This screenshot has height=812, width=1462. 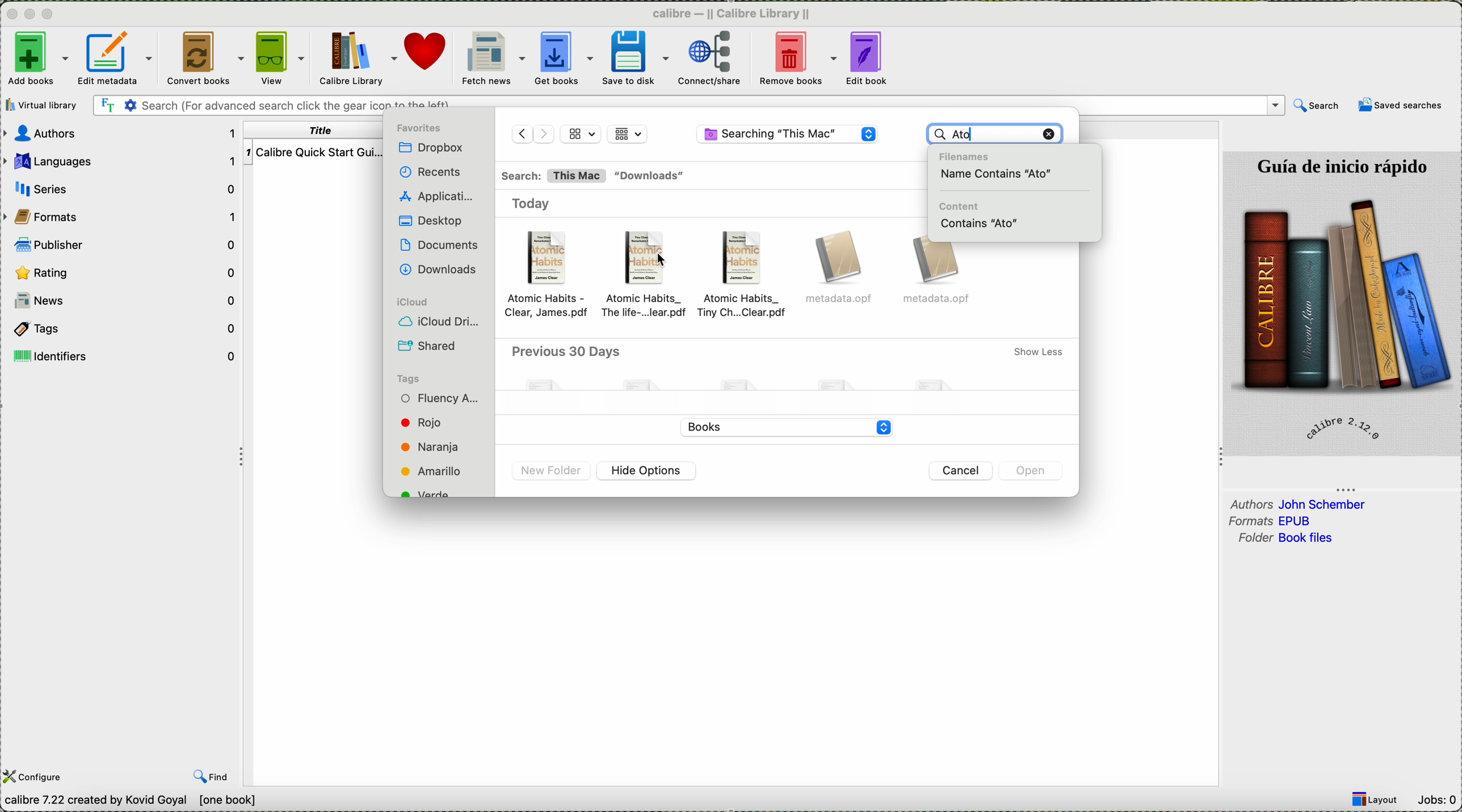 What do you see at coordinates (628, 133) in the screenshot?
I see `grid view` at bounding box center [628, 133].